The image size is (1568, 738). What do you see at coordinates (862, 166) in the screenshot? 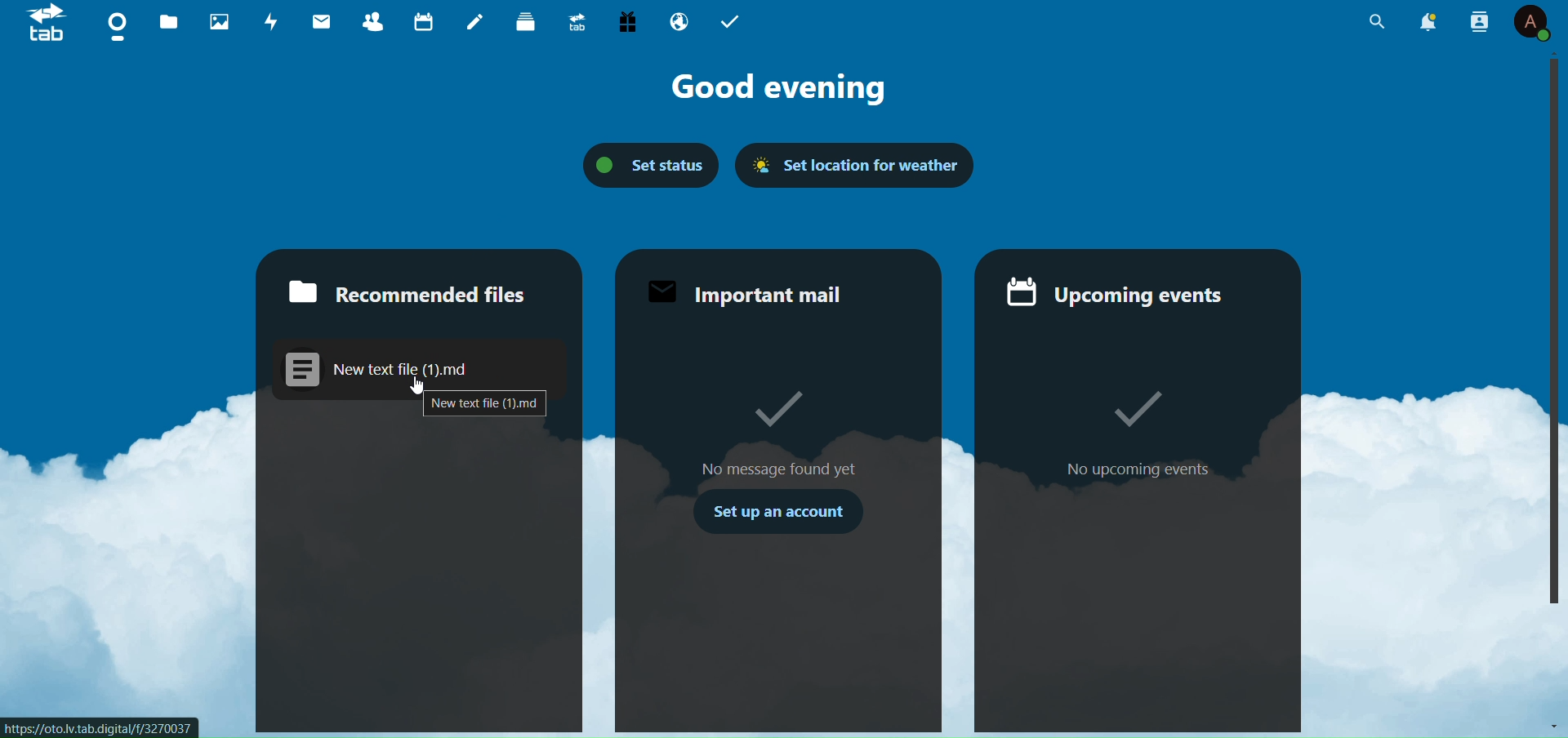
I see `set location for weather` at bounding box center [862, 166].